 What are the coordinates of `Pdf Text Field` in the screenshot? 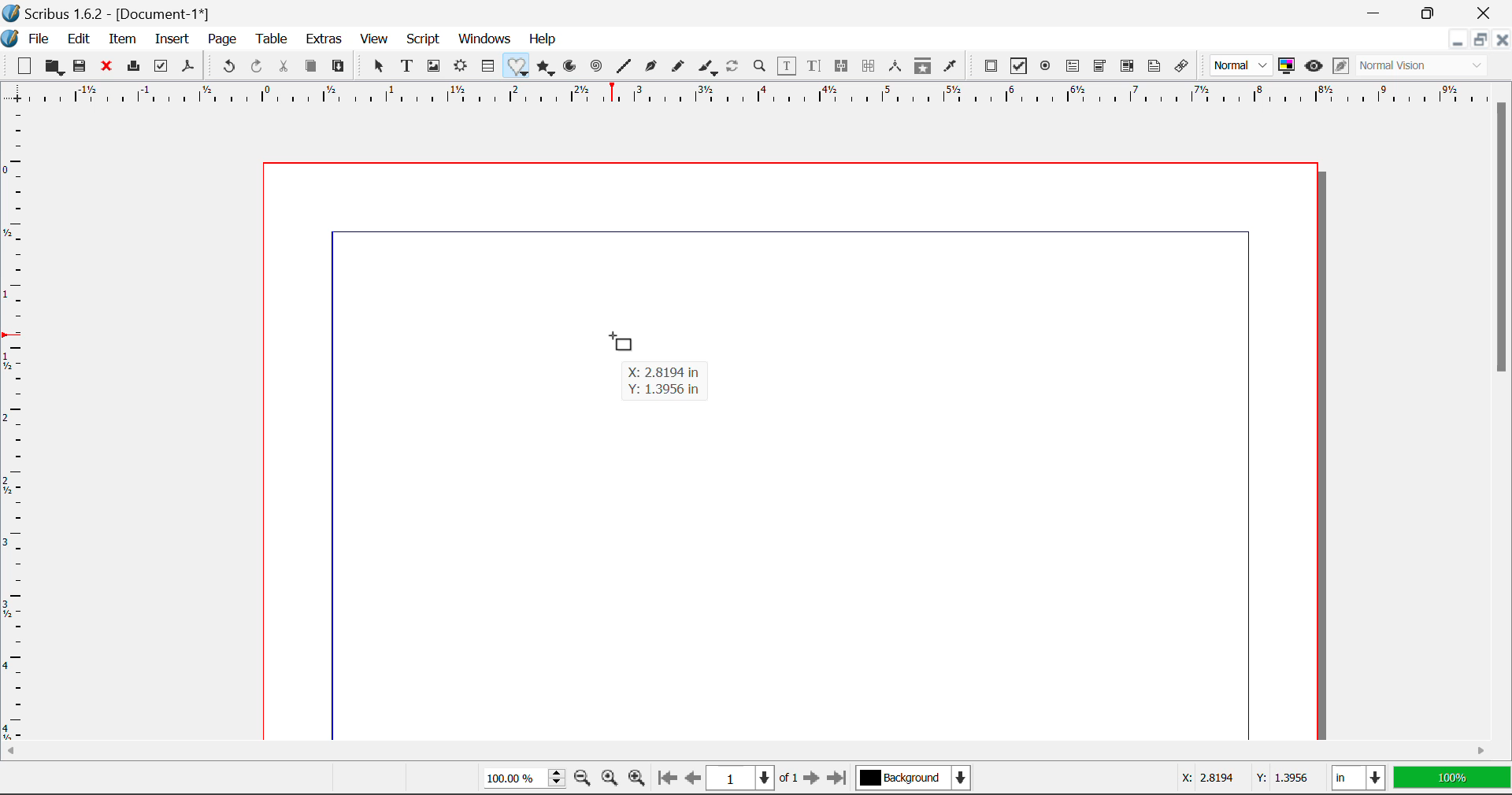 It's located at (1073, 68).